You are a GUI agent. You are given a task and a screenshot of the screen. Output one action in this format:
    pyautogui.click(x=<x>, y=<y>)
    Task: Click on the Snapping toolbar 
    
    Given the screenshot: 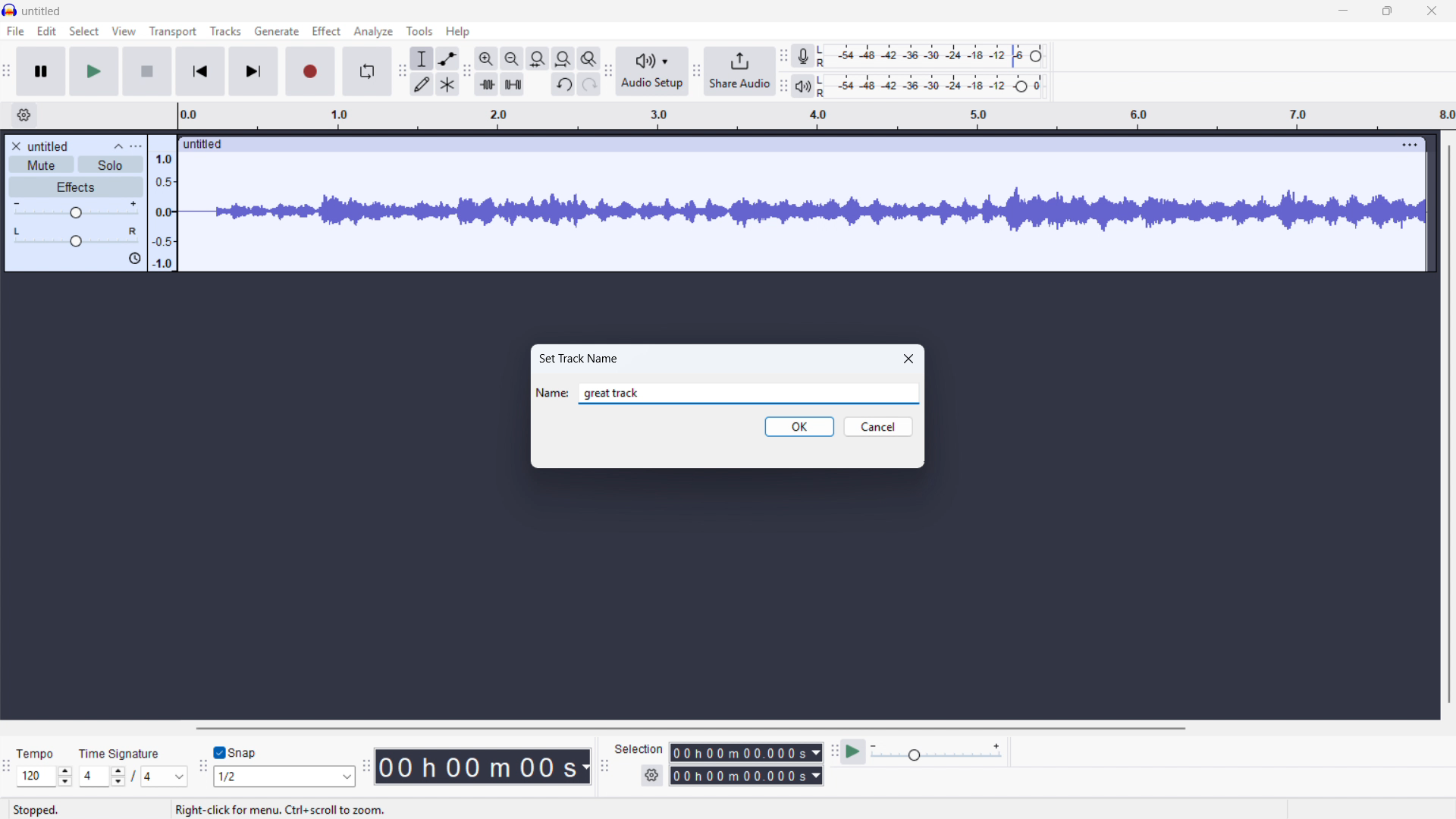 What is the action you would take?
    pyautogui.click(x=202, y=767)
    